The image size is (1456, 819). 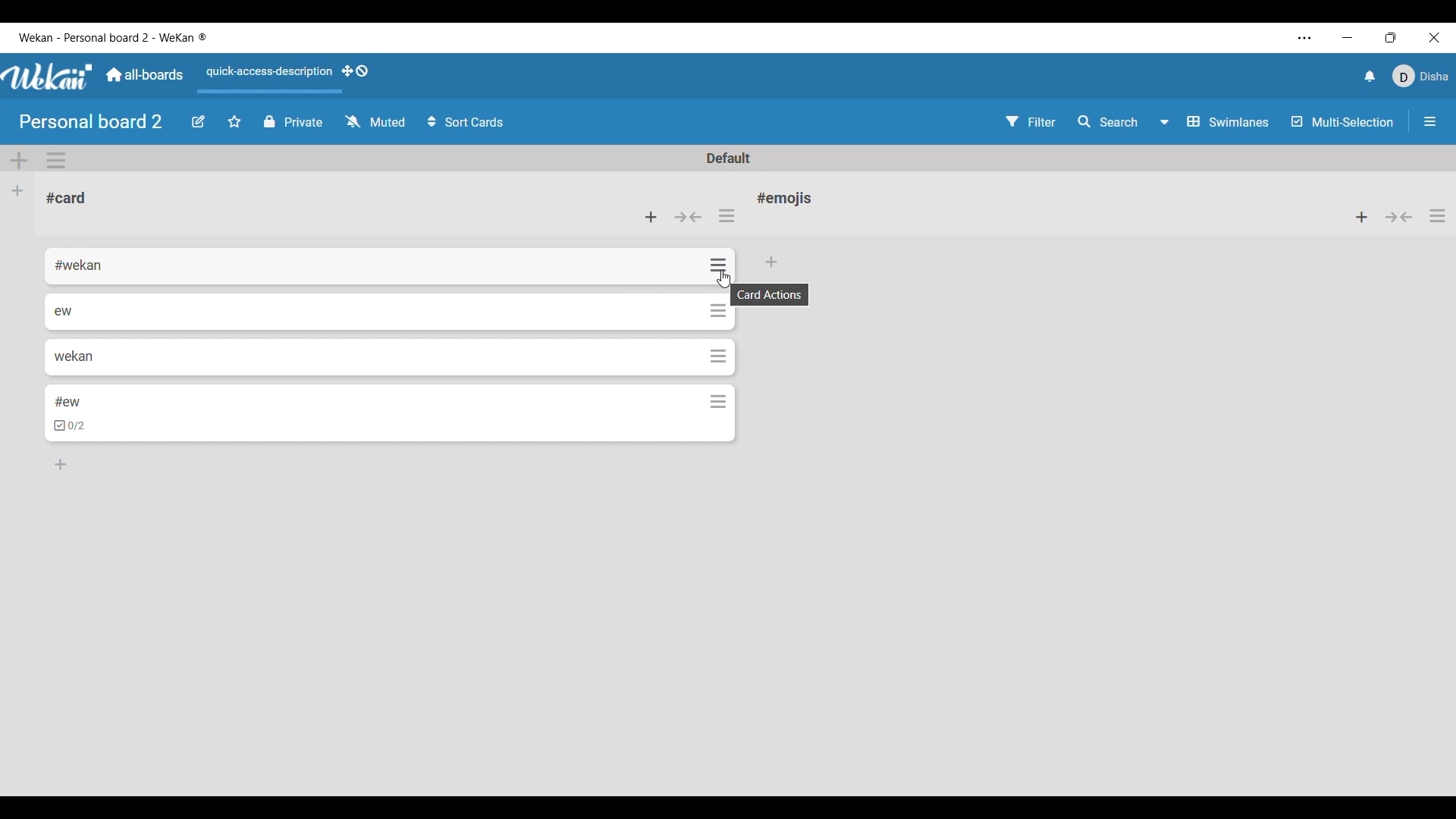 What do you see at coordinates (1399, 217) in the screenshot?
I see `Collapse` at bounding box center [1399, 217].